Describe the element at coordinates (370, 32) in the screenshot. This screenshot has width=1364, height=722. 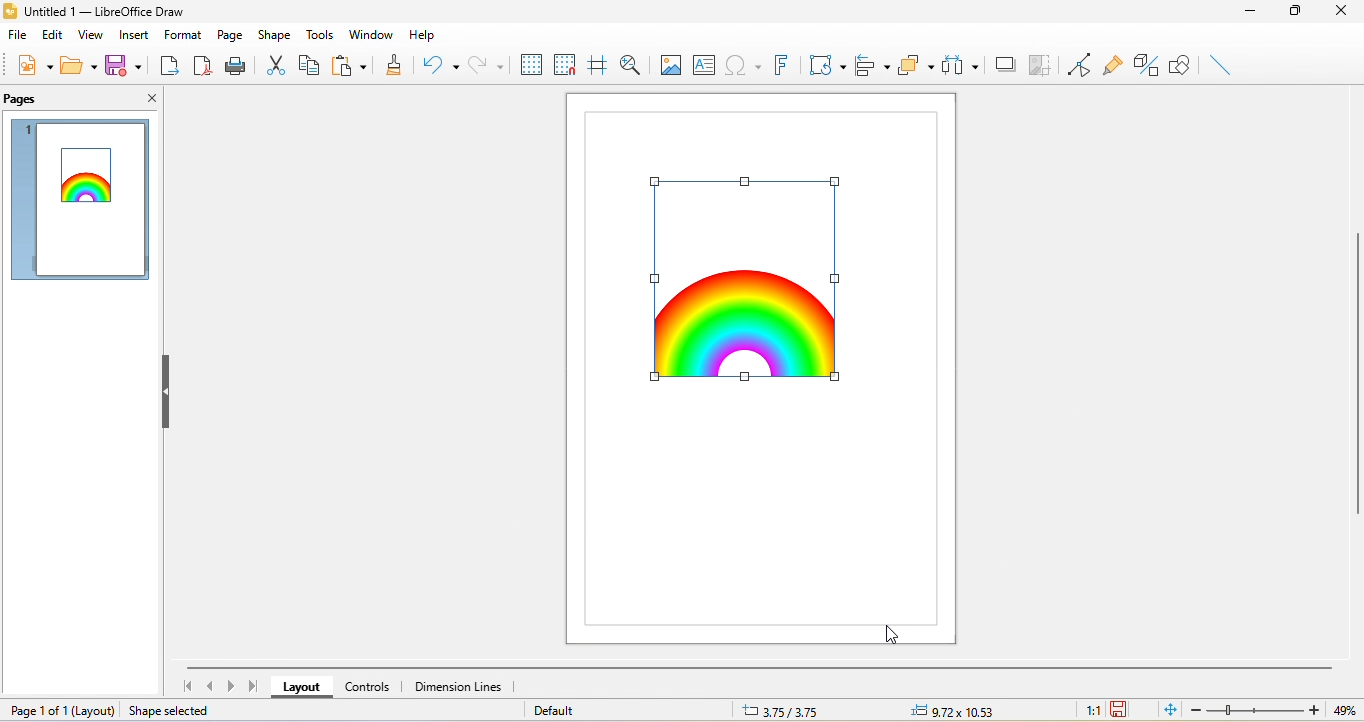
I see `window` at that location.